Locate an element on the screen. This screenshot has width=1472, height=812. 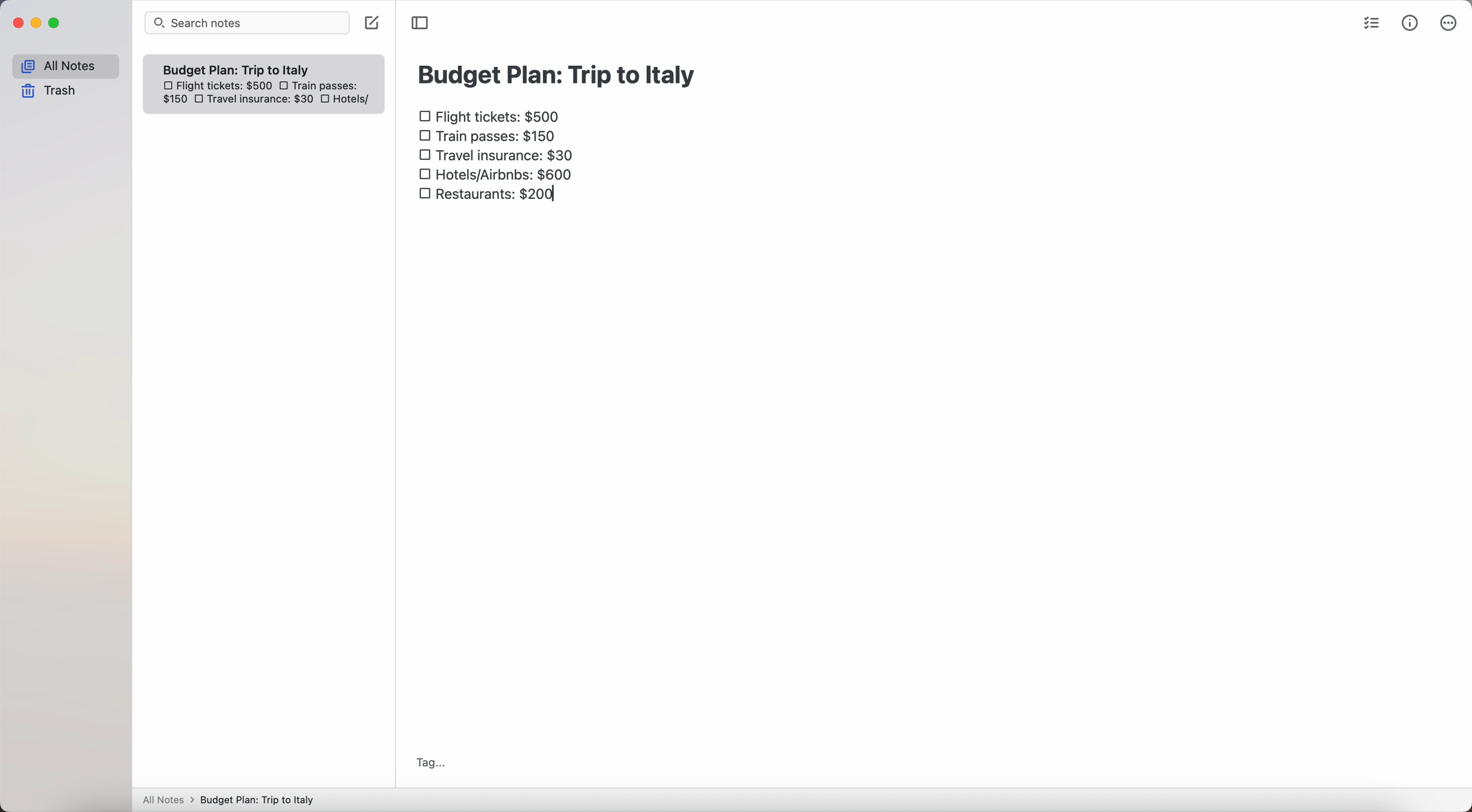
all notes is located at coordinates (65, 66).